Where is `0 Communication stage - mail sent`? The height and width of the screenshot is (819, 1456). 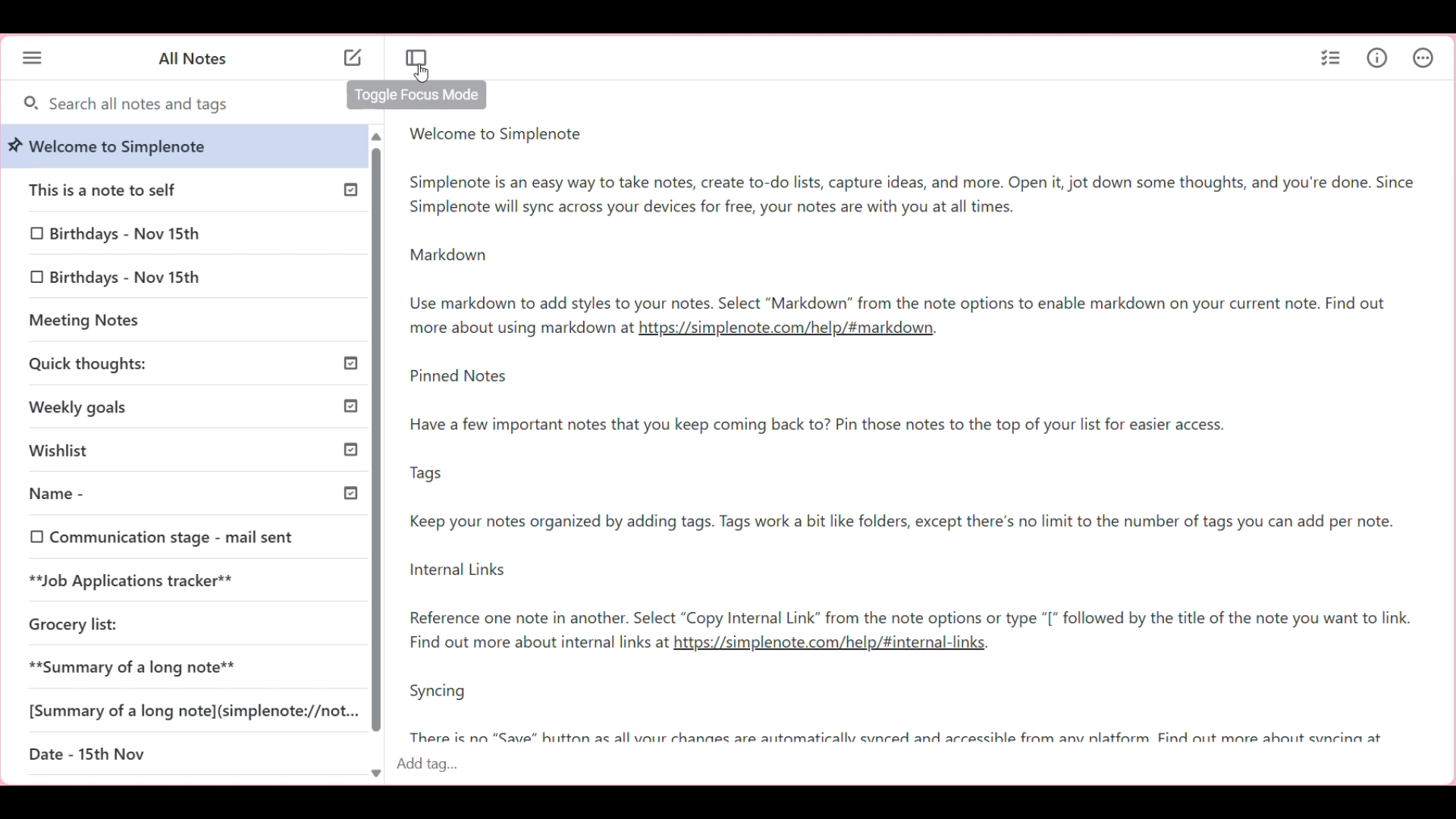
0 Communication stage - mail sent is located at coordinates (162, 539).